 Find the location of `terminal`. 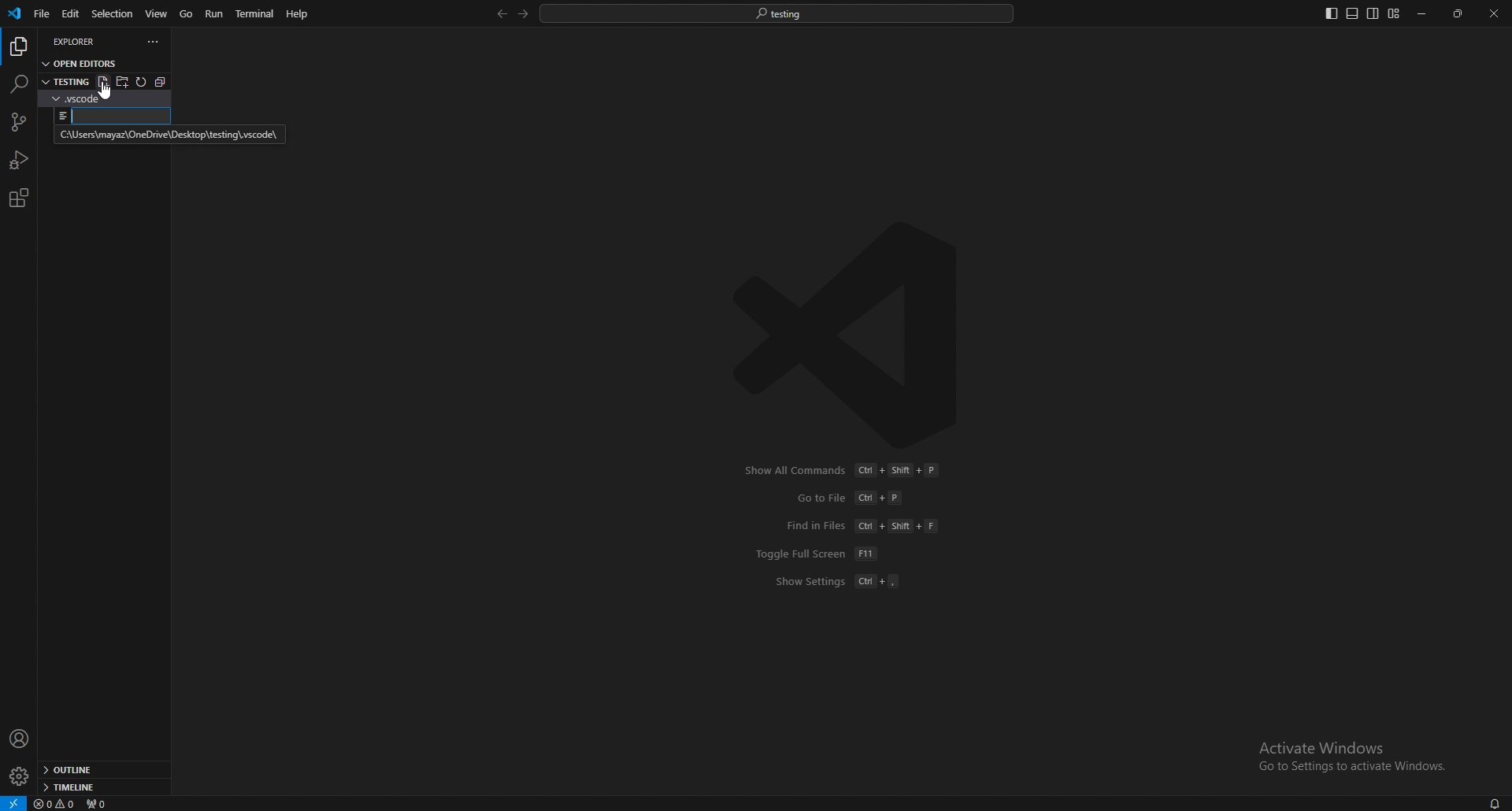

terminal is located at coordinates (258, 14).